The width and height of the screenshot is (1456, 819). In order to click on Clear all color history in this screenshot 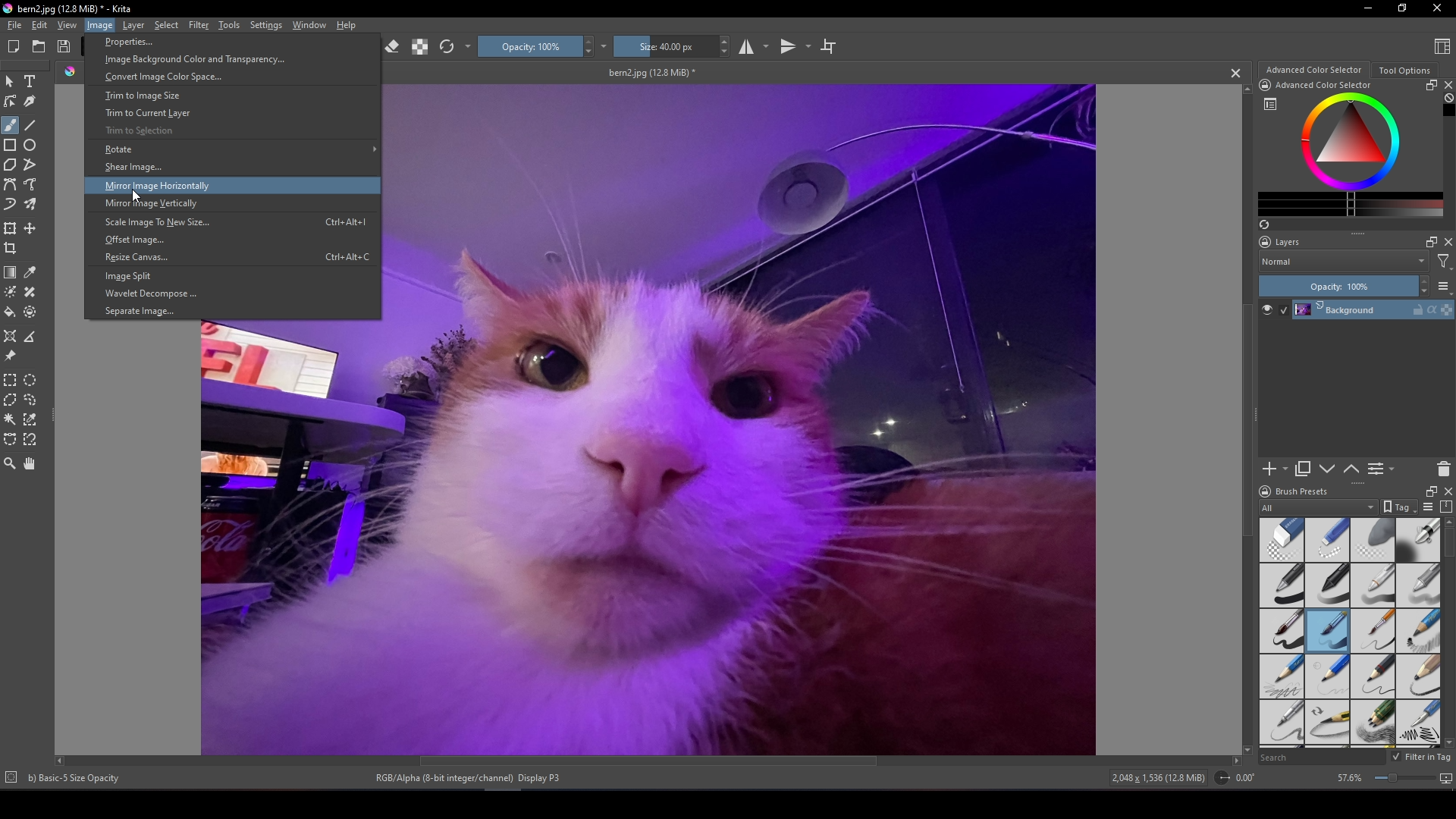, I will do `click(1448, 98)`.